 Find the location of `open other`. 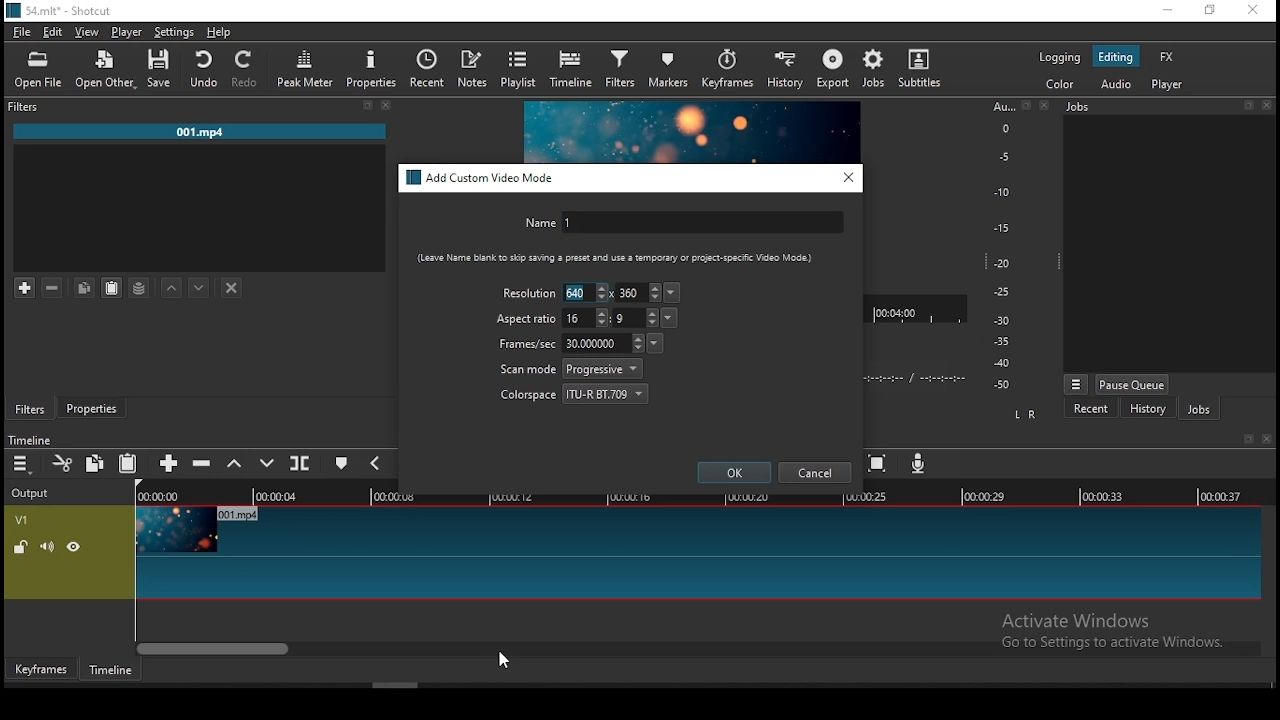

open other is located at coordinates (107, 71).